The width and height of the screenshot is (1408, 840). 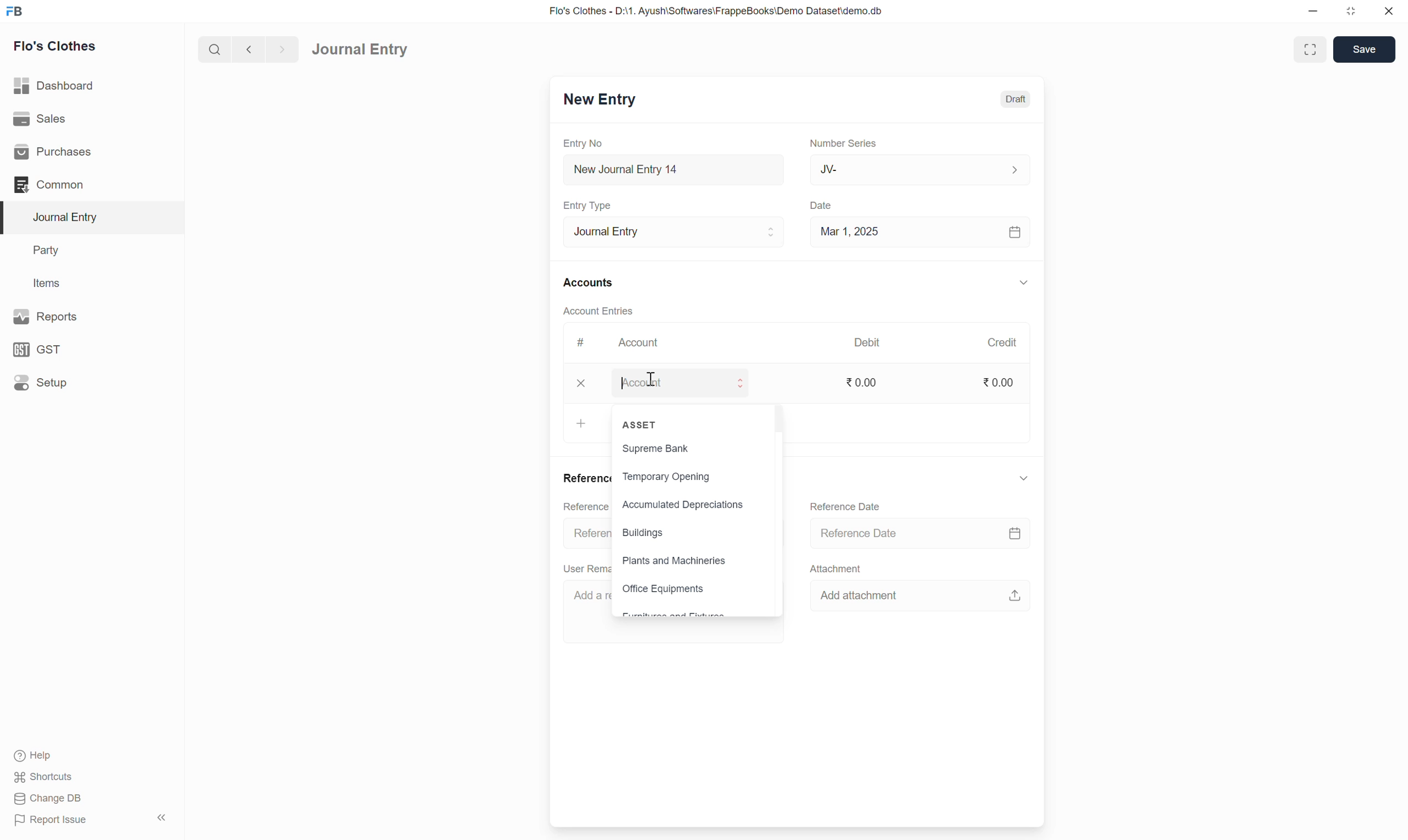 What do you see at coordinates (1349, 11) in the screenshot?
I see `resize` at bounding box center [1349, 11].